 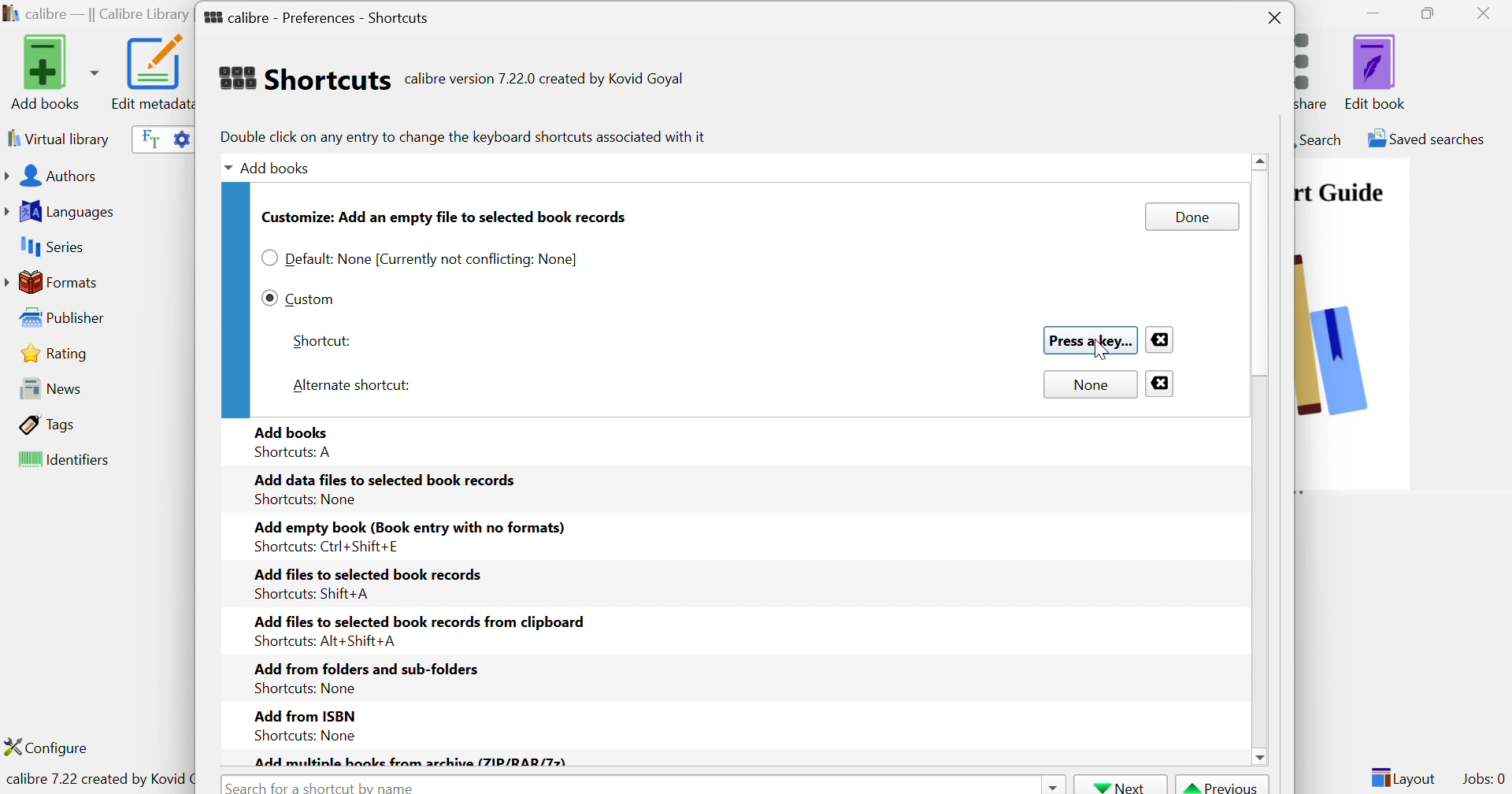 I want to click on Add empty book (Book entry with no formats), so click(x=409, y=529).